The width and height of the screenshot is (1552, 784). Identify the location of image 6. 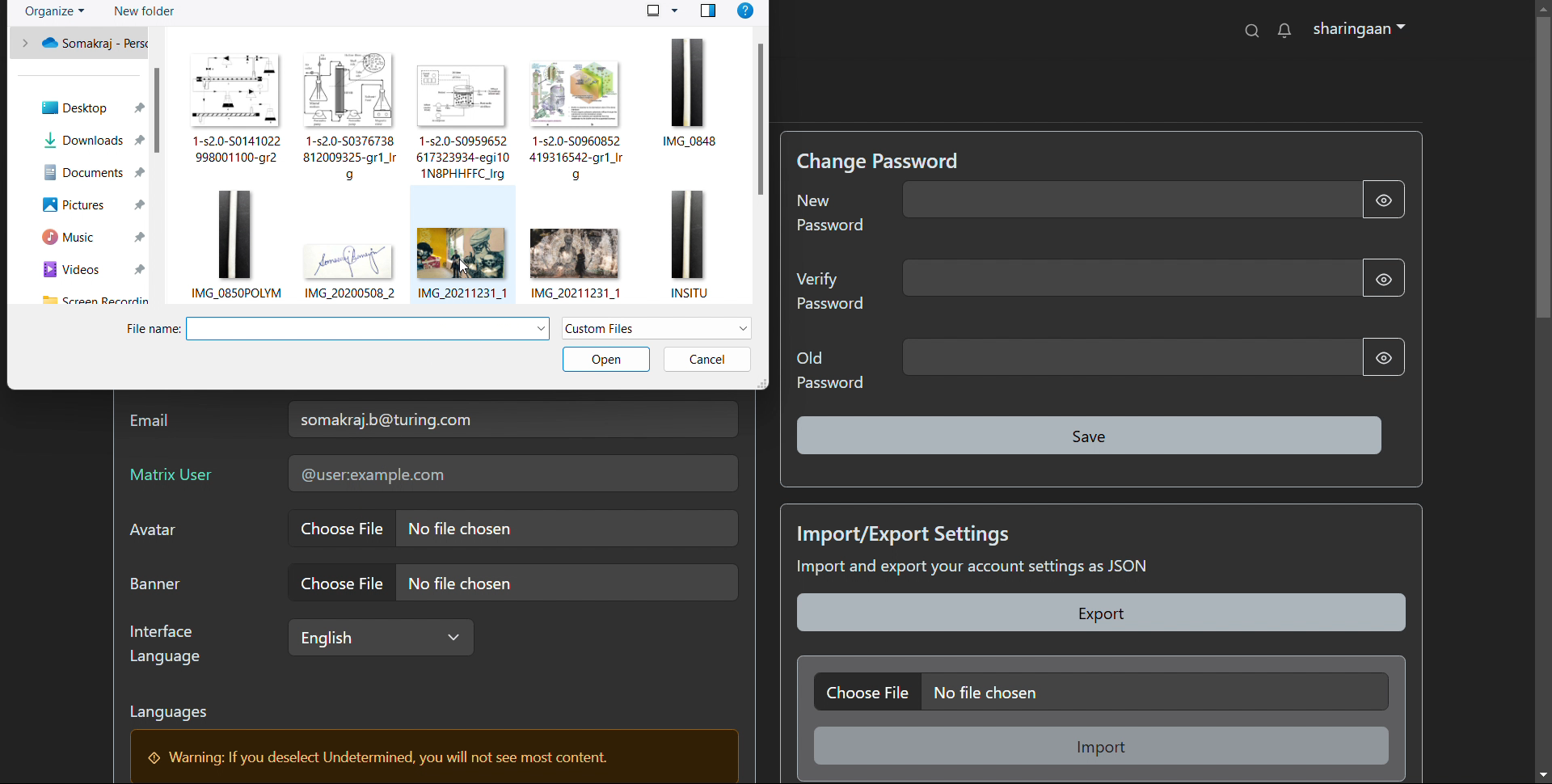
(236, 243).